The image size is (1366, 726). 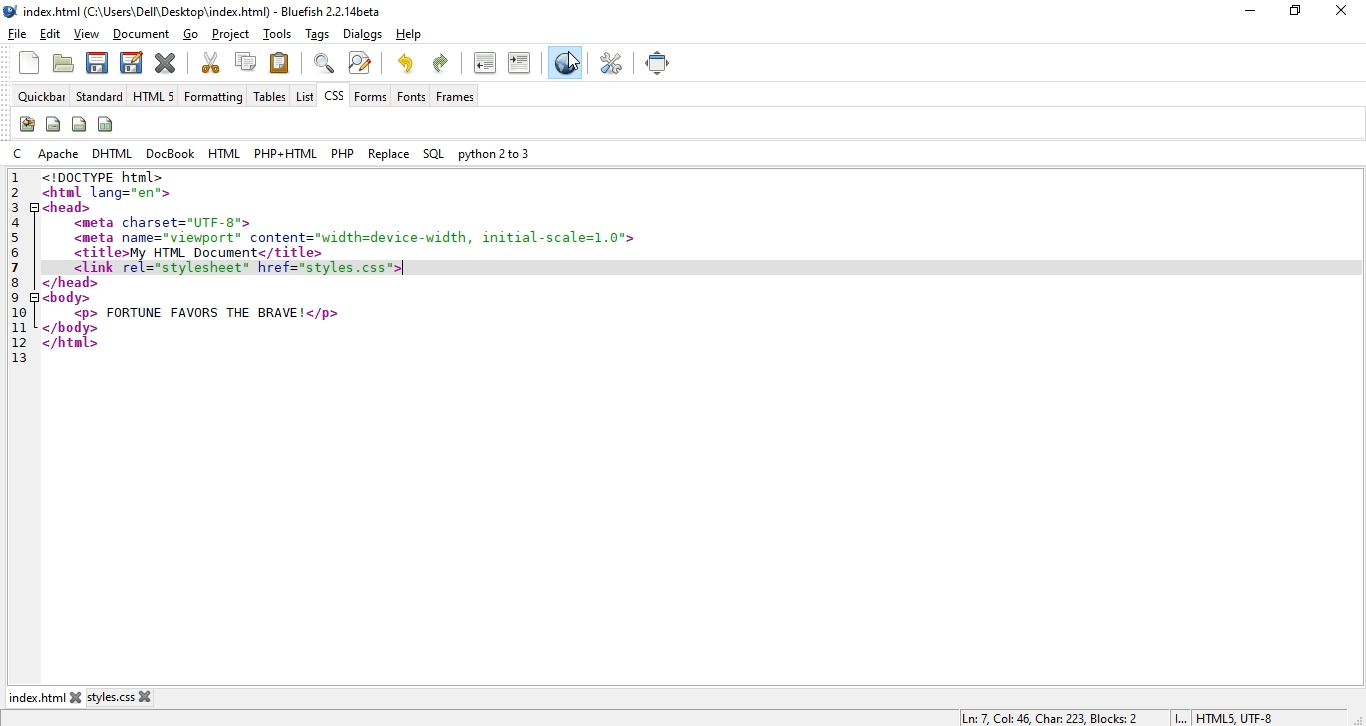 What do you see at coordinates (456, 97) in the screenshot?
I see `frames` at bounding box center [456, 97].